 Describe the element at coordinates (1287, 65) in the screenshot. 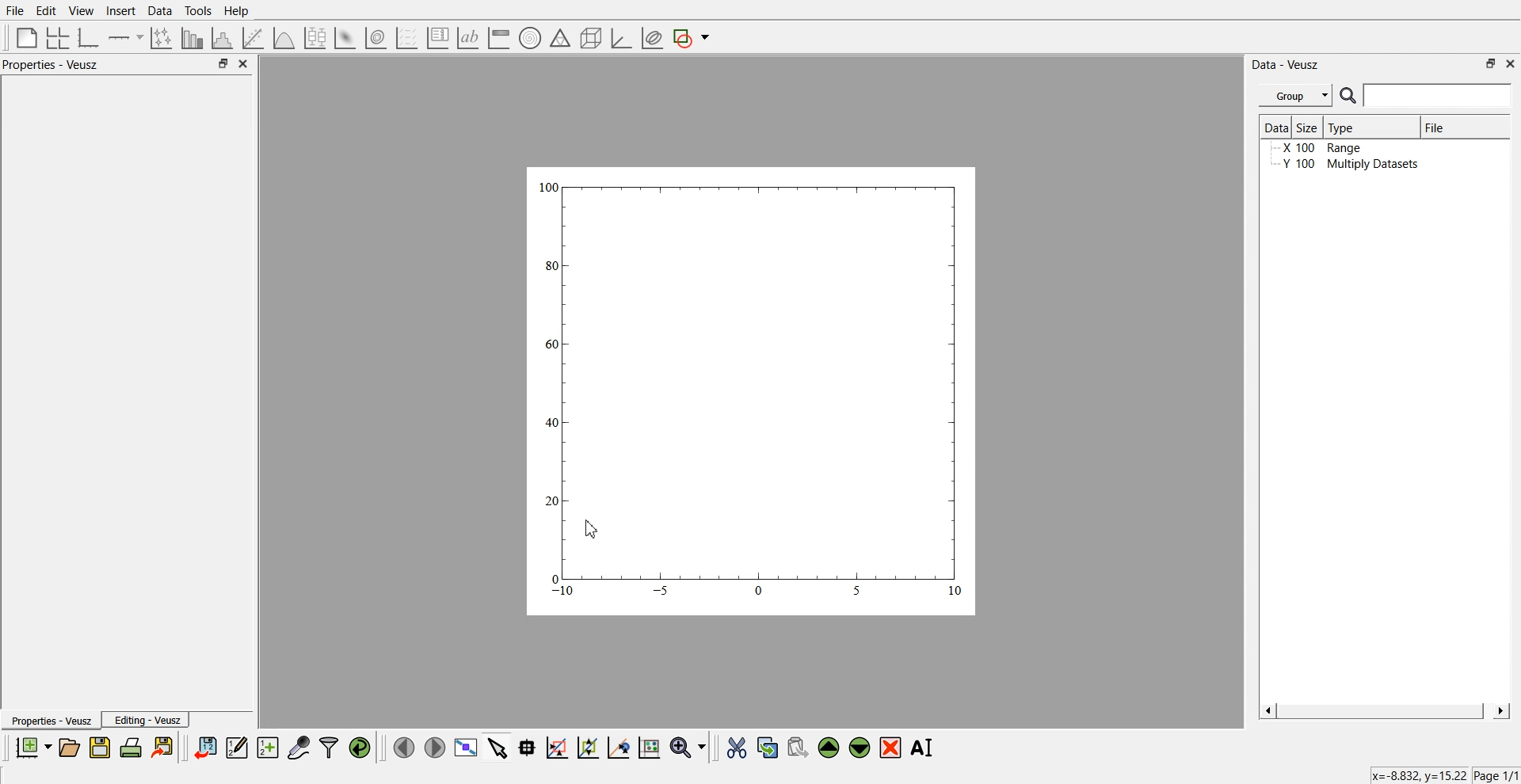

I see `Data - Veusz` at that location.